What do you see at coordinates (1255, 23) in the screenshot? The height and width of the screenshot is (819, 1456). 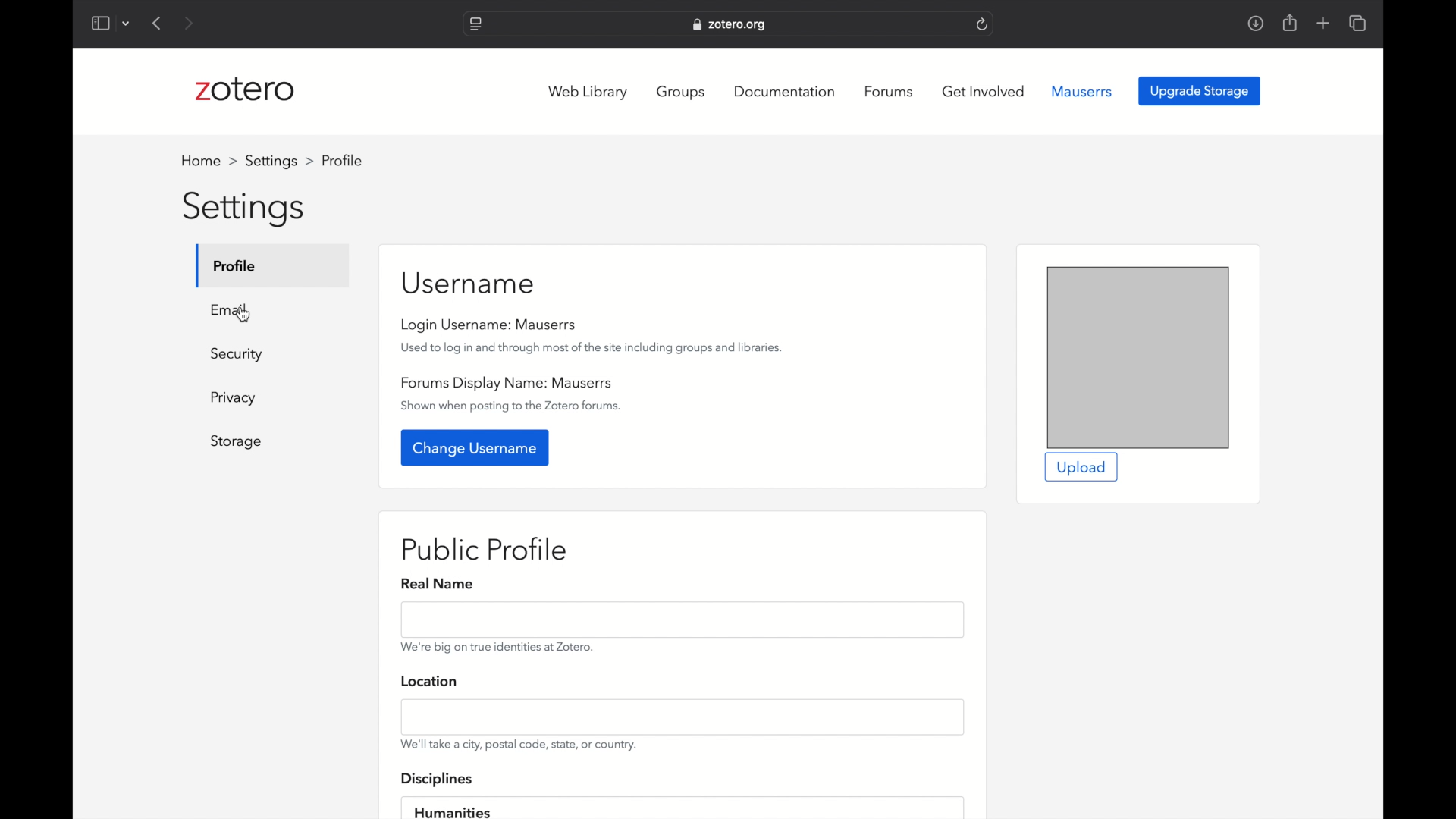 I see `downloads` at bounding box center [1255, 23].